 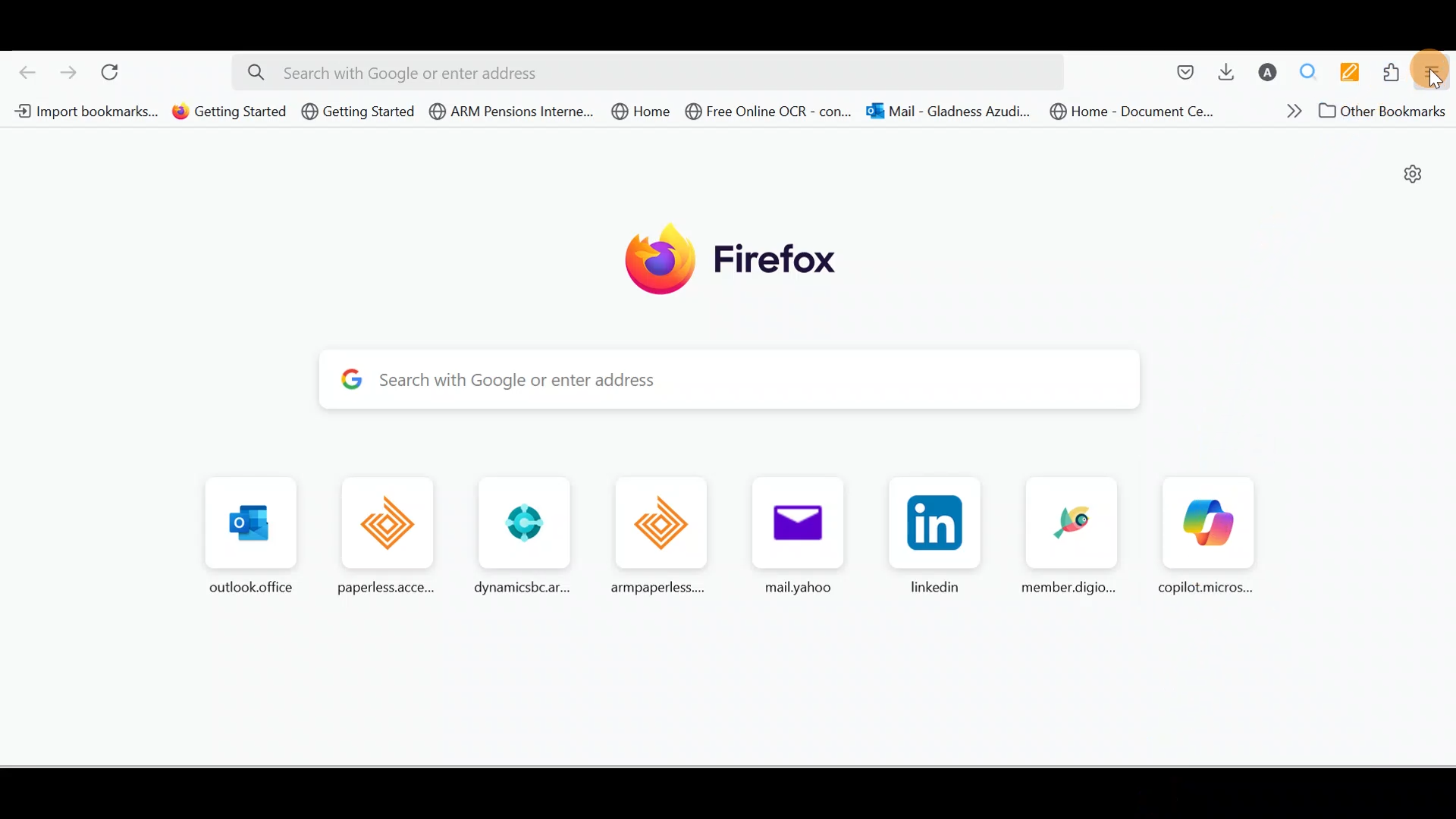 What do you see at coordinates (83, 109) in the screenshot?
I see `Import bookmarks.` at bounding box center [83, 109].